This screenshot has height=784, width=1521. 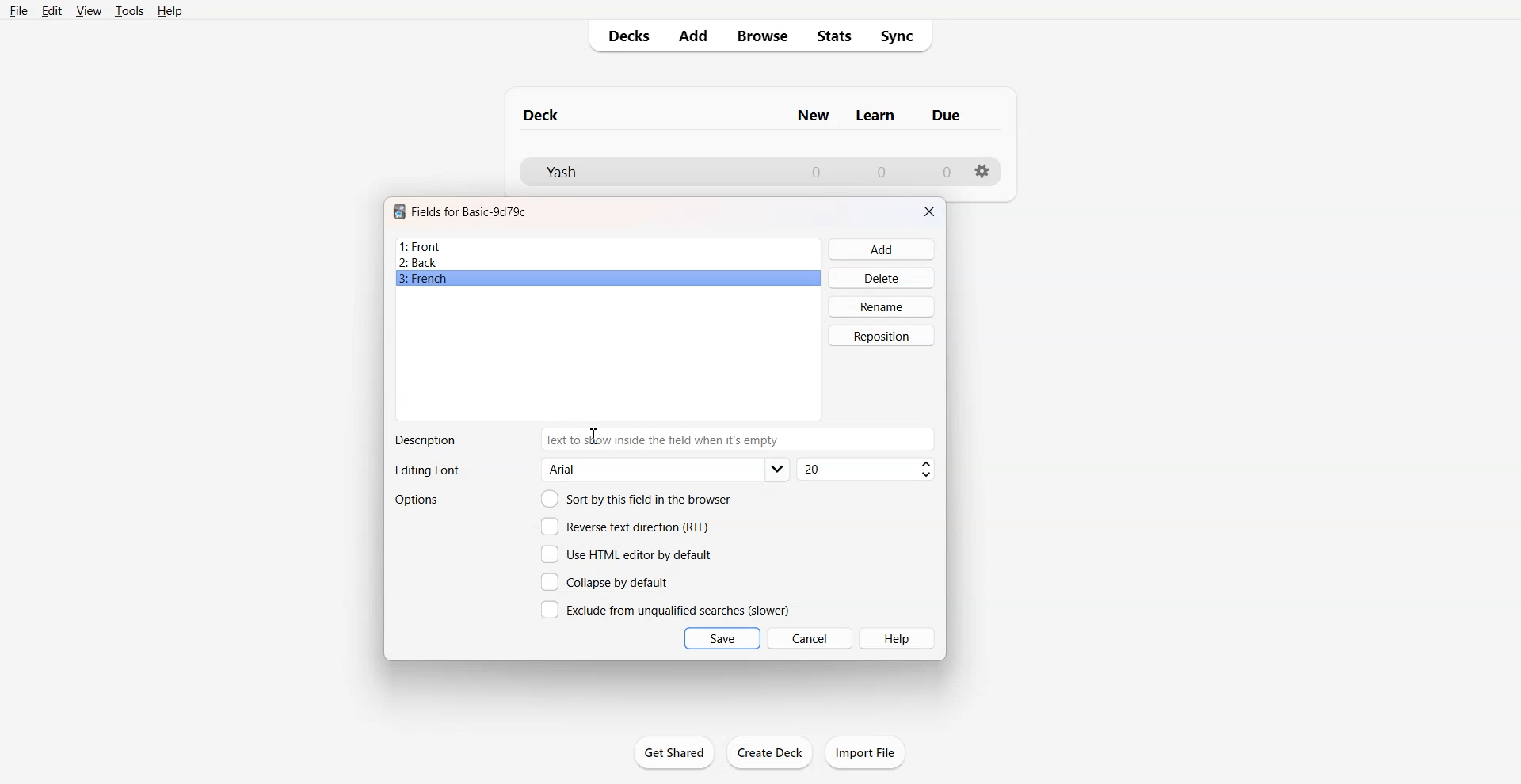 What do you see at coordinates (666, 470) in the screenshot?
I see `Editing font options` at bounding box center [666, 470].